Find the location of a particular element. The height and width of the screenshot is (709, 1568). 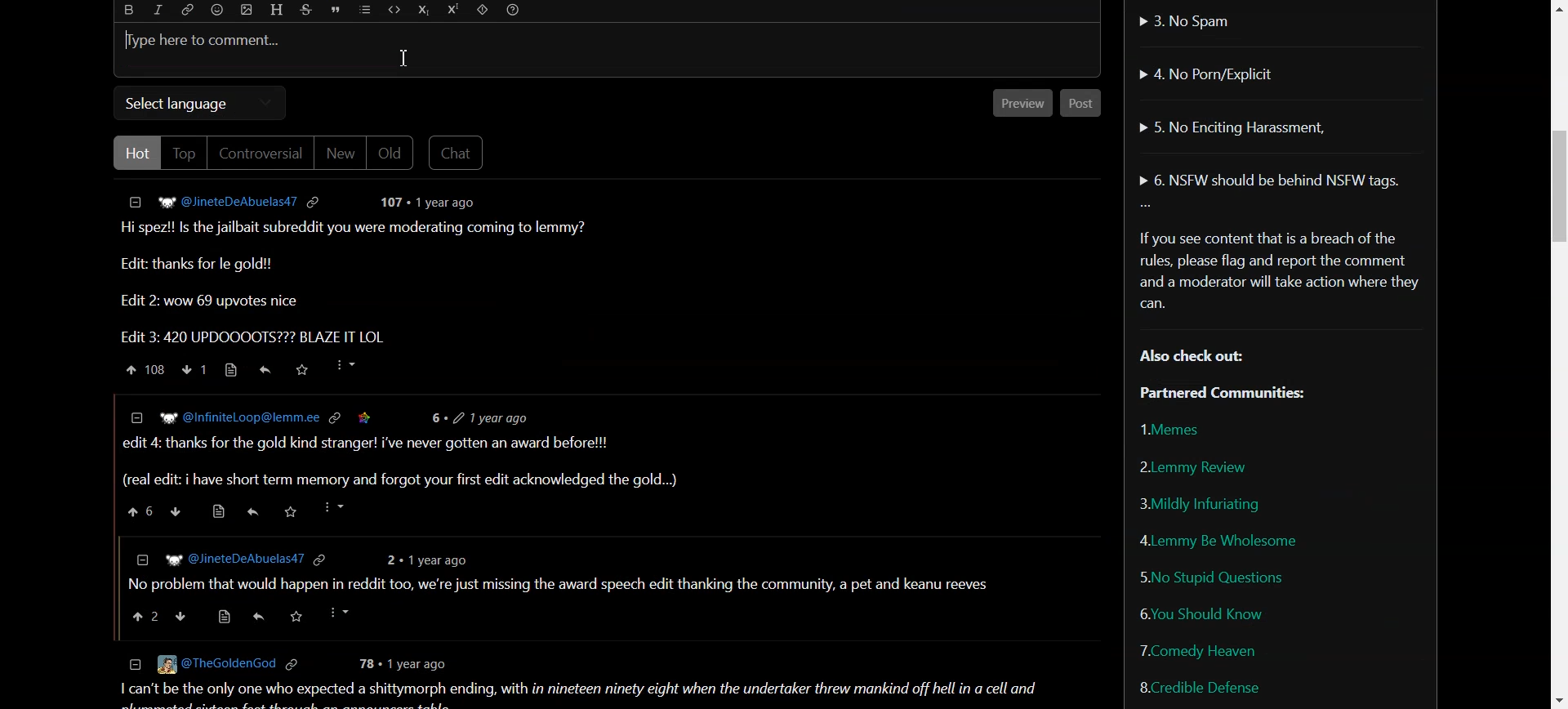

Chat is located at coordinates (457, 153).